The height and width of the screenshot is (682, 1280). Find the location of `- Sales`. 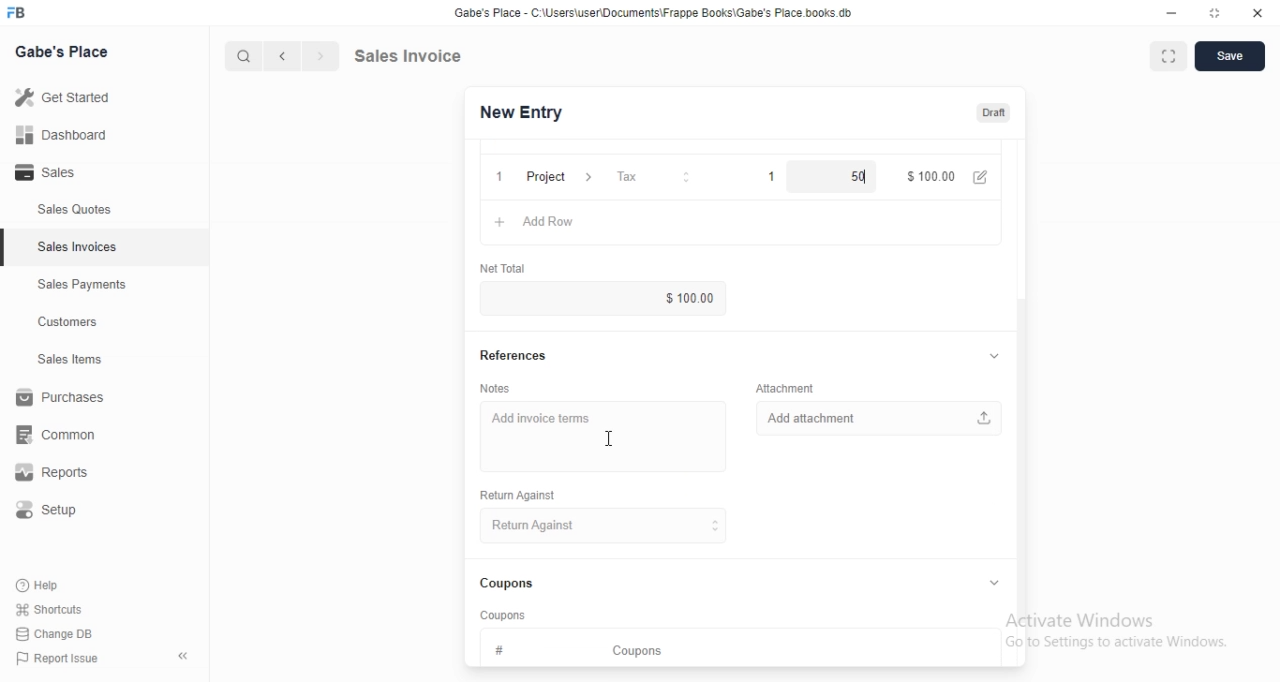

- Sales is located at coordinates (64, 175).